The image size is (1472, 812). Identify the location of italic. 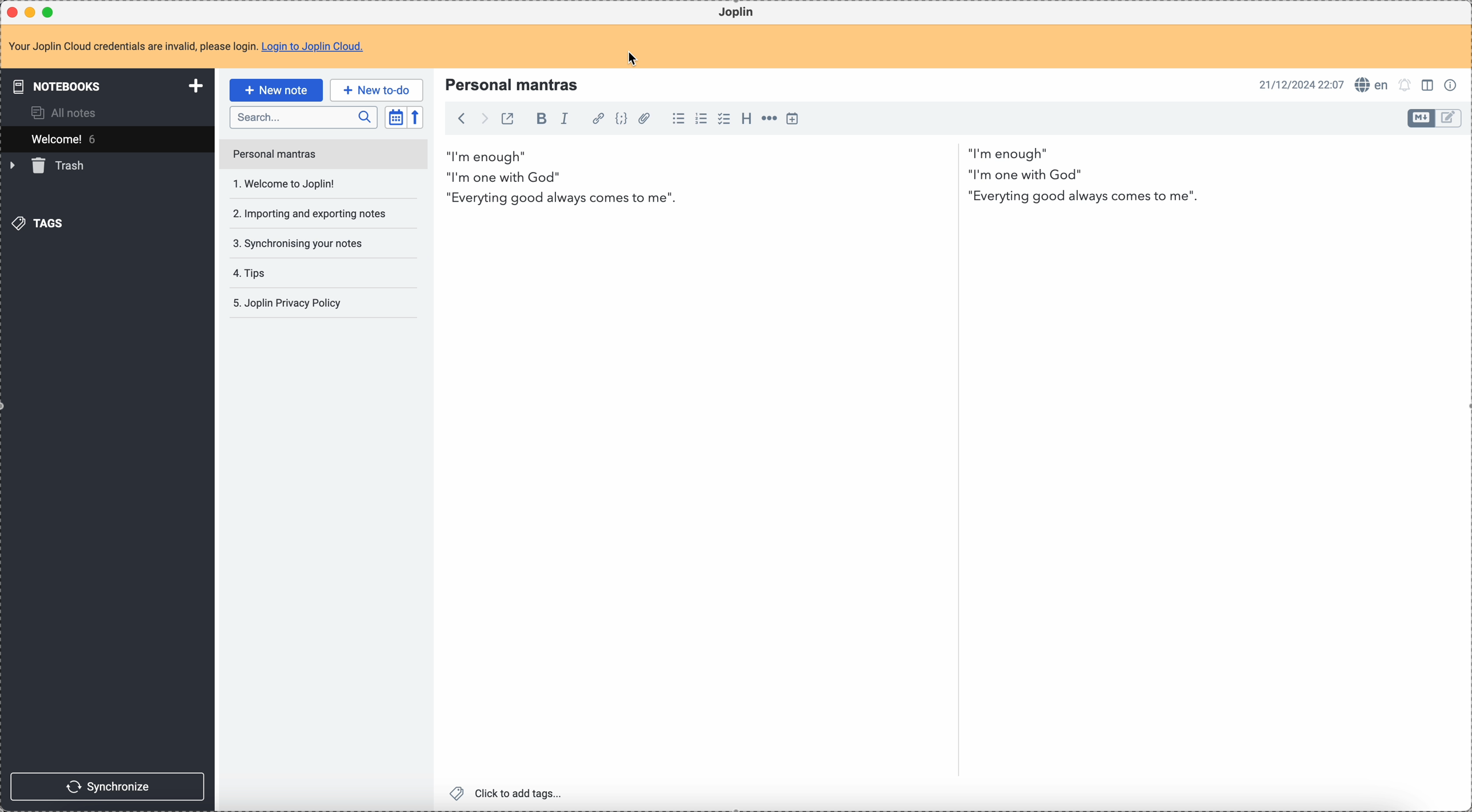
(566, 119).